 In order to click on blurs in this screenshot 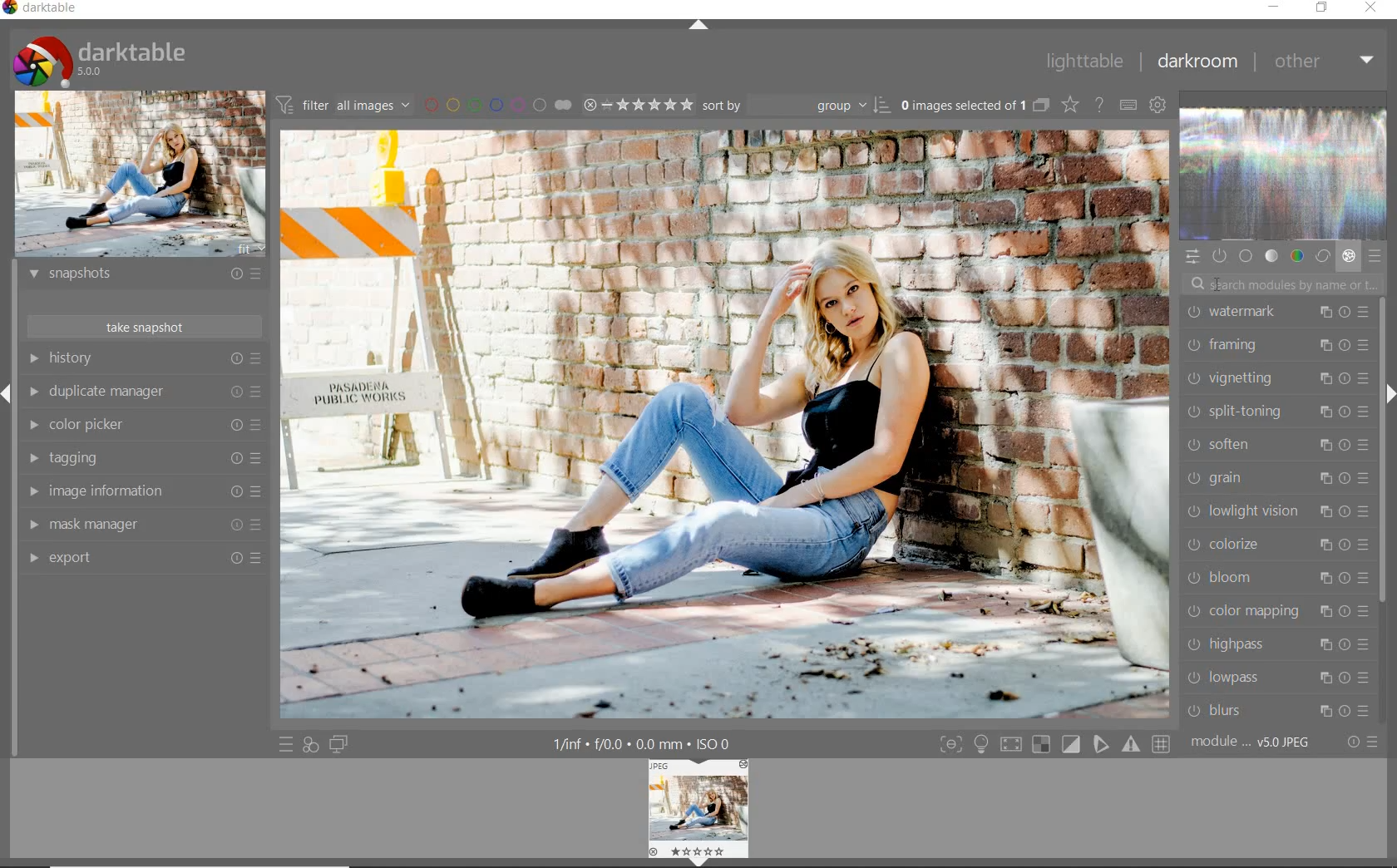, I will do `click(1281, 710)`.